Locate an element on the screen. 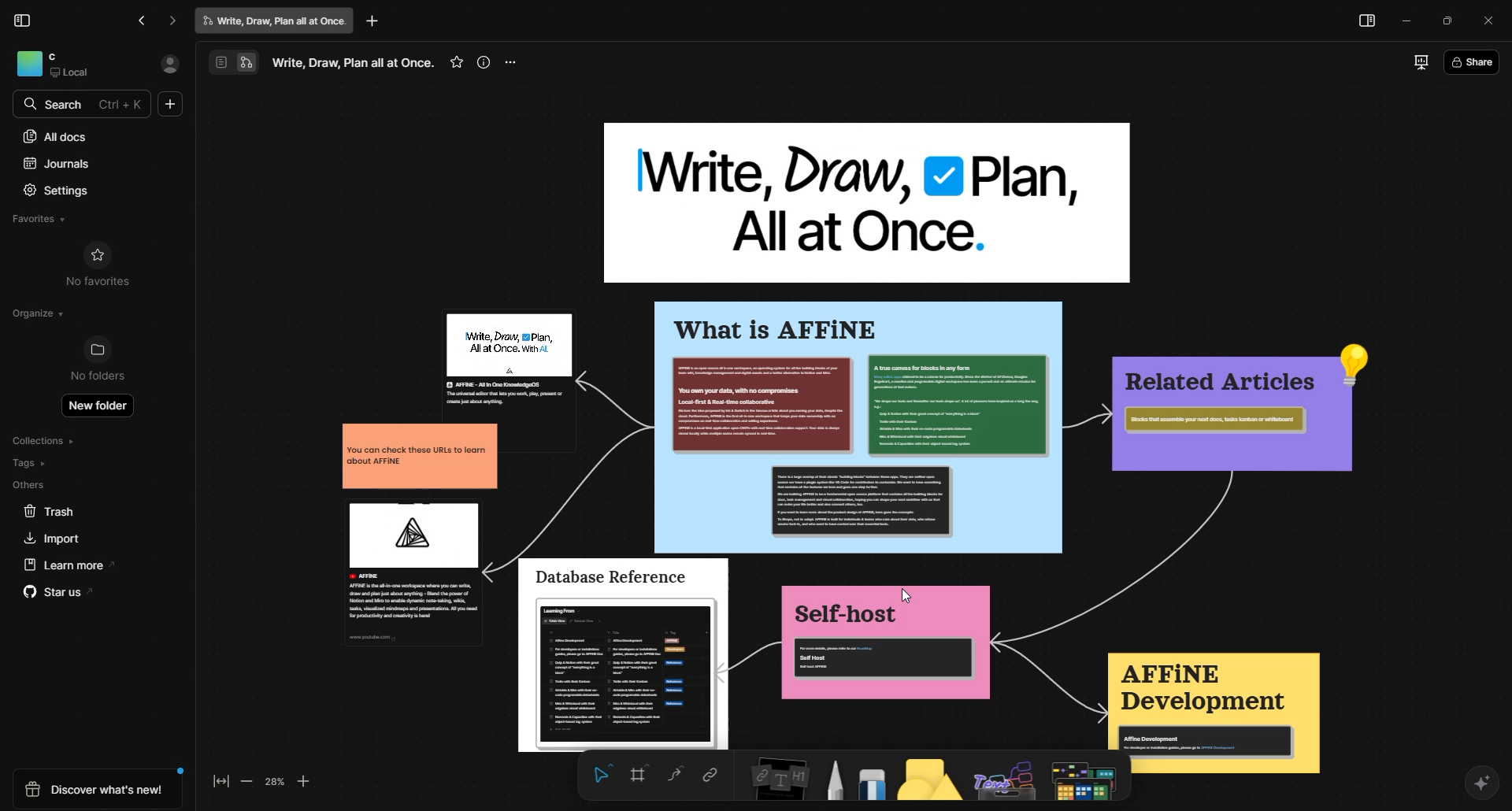 The width and height of the screenshot is (1512, 811). Mobile View is located at coordinates (1084, 780).